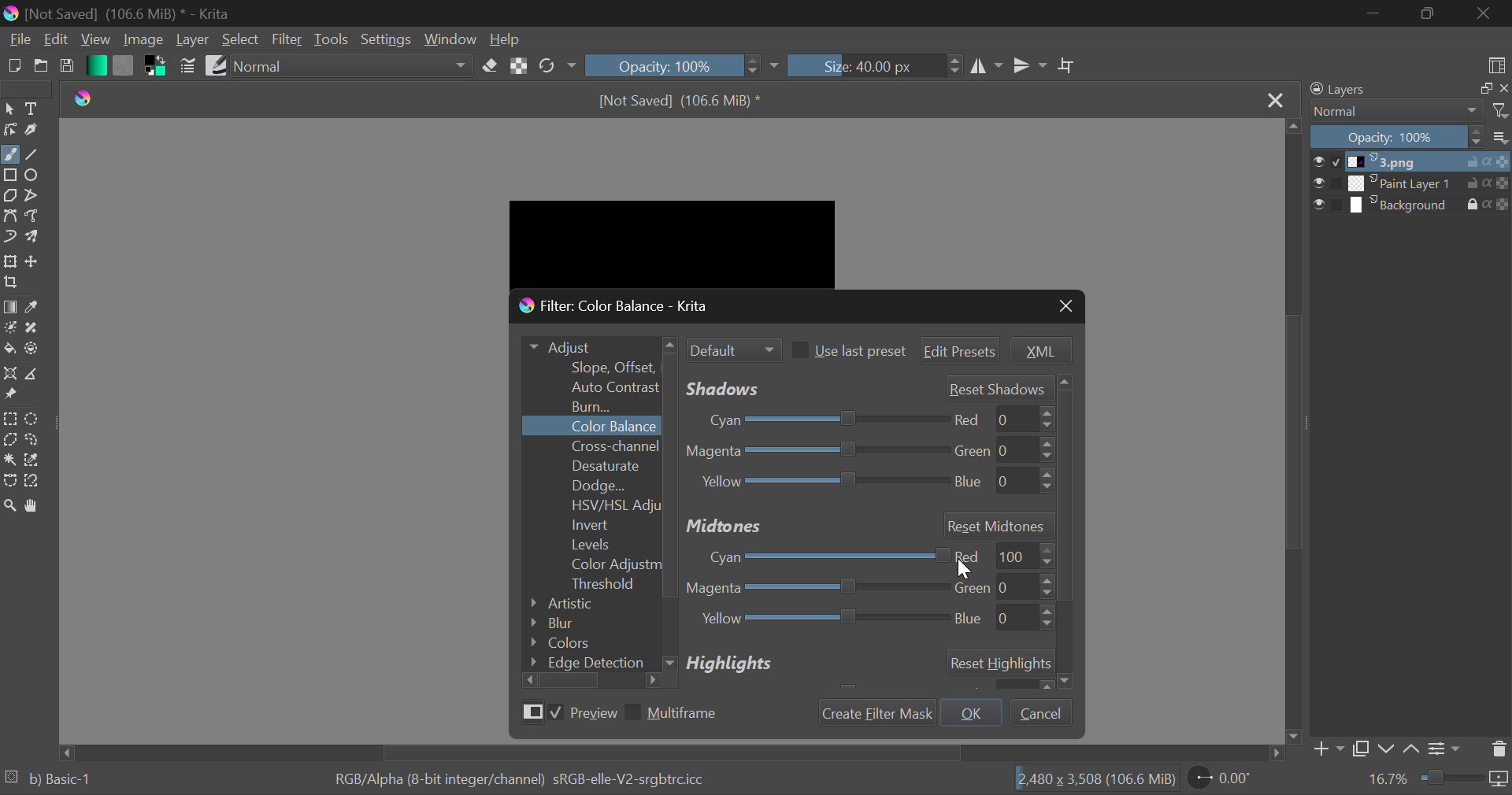 The width and height of the screenshot is (1512, 795). Describe the element at coordinates (813, 452) in the screenshot. I see `Magenta-Green Slider` at that location.